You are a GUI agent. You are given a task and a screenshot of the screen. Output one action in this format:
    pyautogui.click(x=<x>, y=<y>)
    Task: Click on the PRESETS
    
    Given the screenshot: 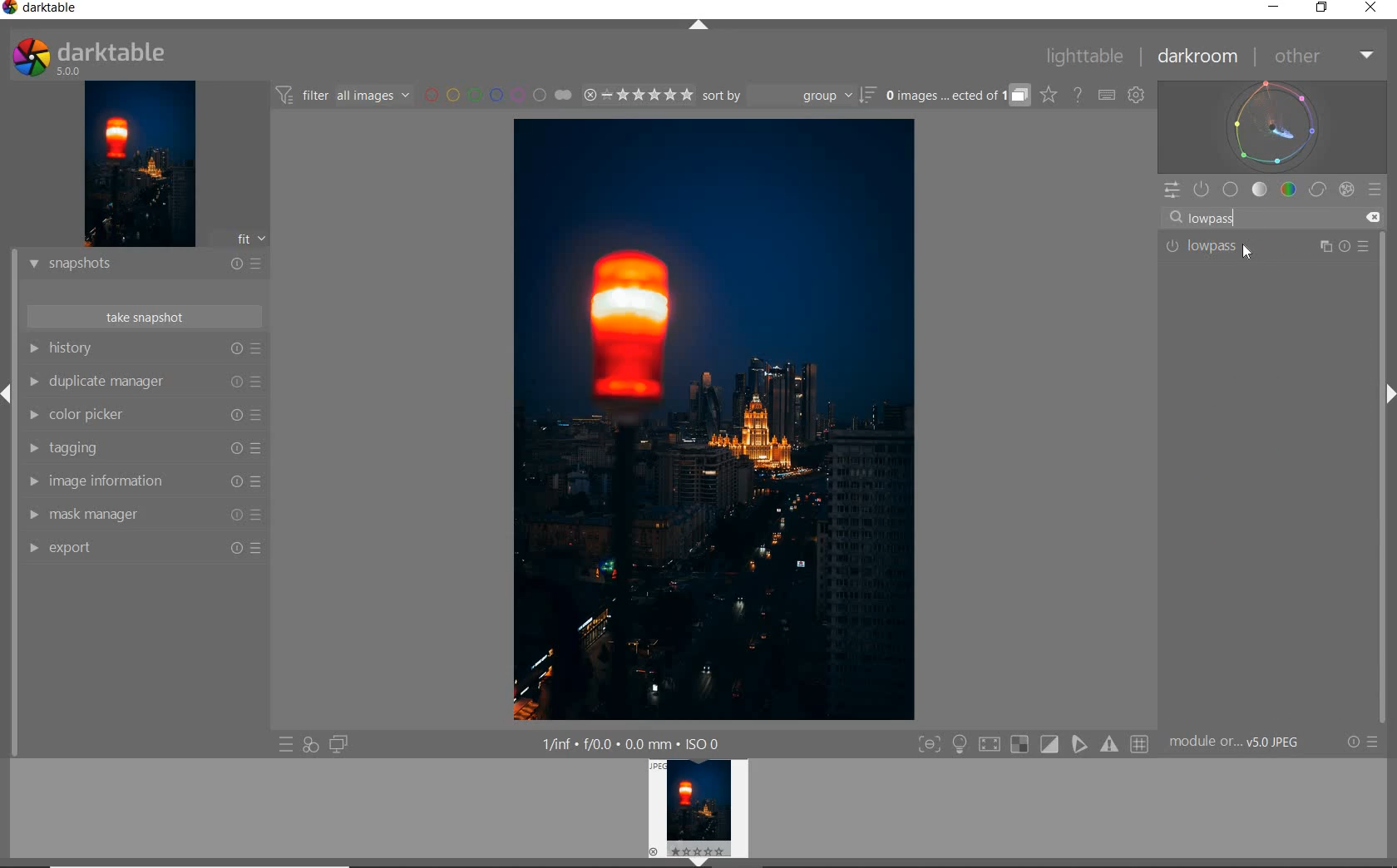 What is the action you would take?
    pyautogui.click(x=1376, y=191)
    